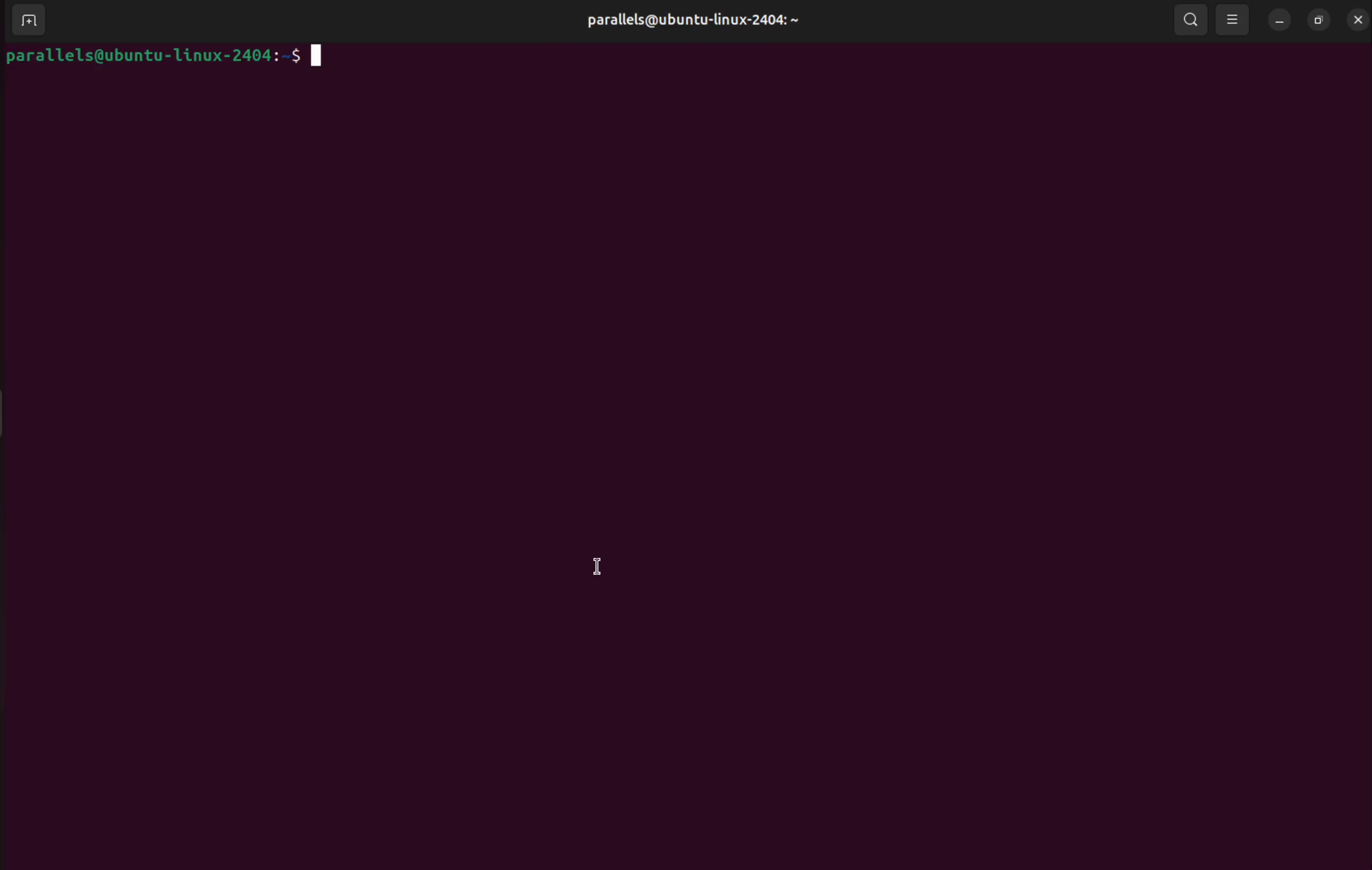 This screenshot has width=1372, height=870. Describe the element at coordinates (1192, 21) in the screenshot. I see `search` at that location.